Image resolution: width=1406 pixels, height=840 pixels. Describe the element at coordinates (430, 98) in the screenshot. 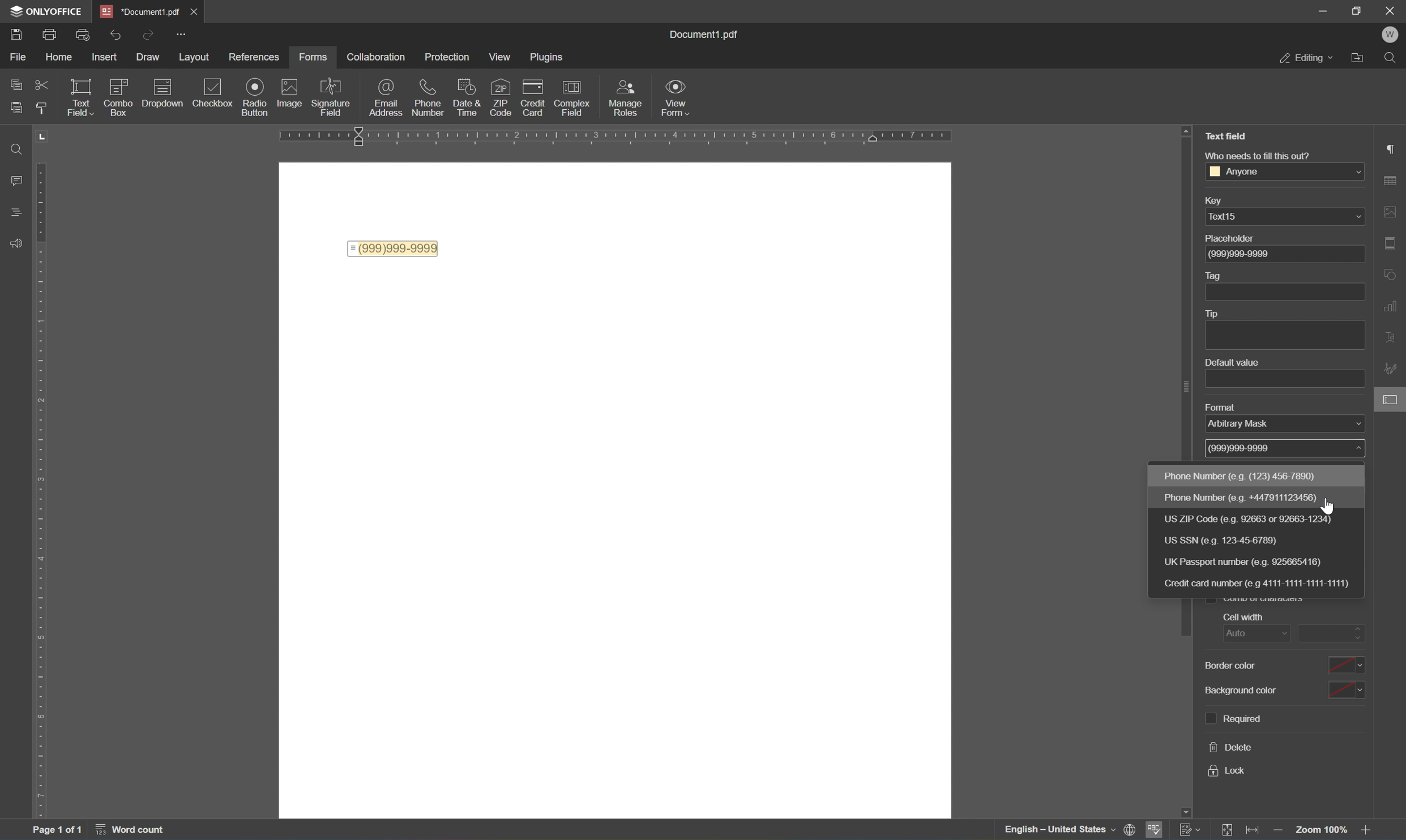

I see `phone number` at that location.